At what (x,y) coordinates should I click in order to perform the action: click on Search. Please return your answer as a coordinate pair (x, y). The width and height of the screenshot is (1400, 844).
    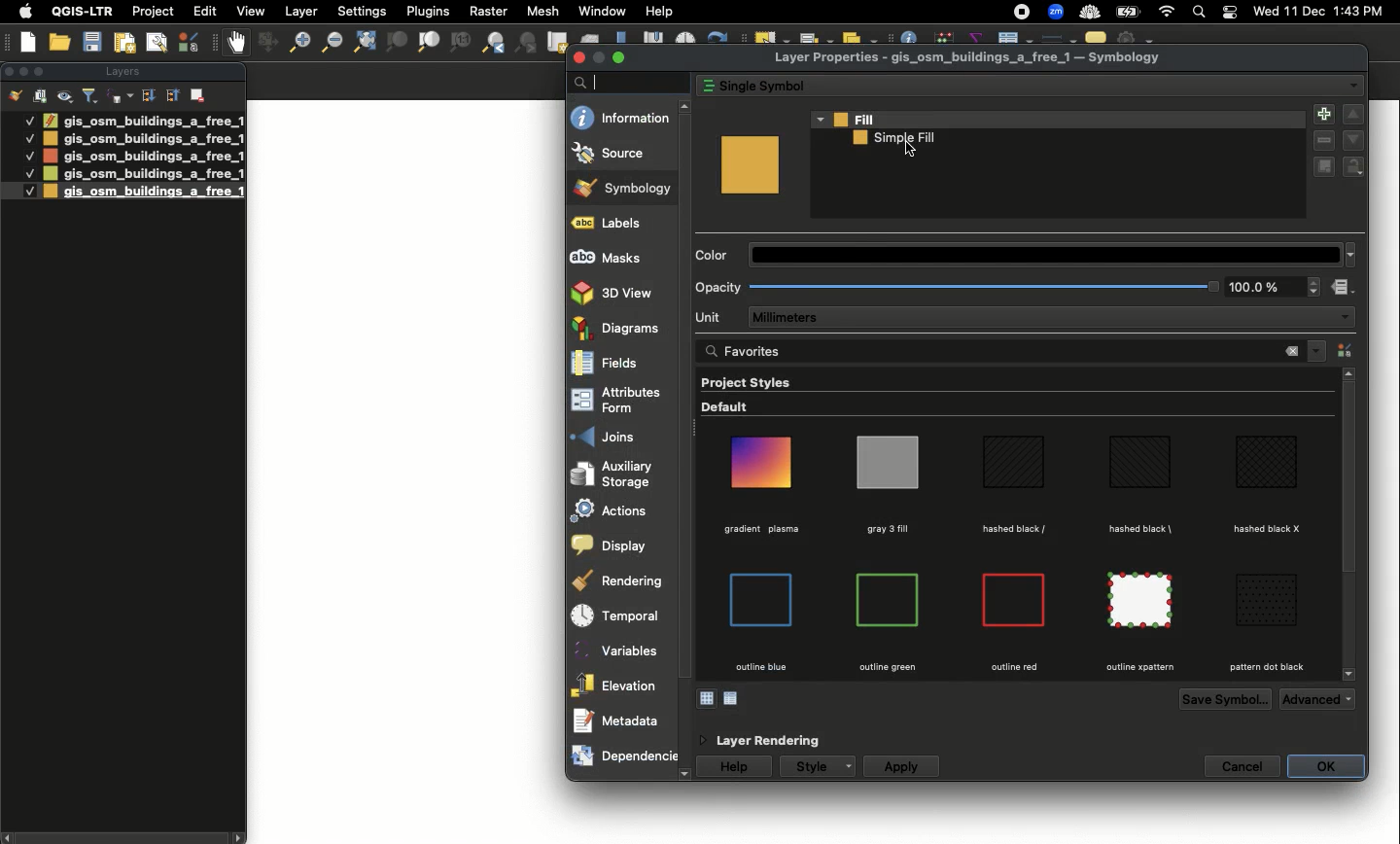
    Looking at the image, I should click on (627, 83).